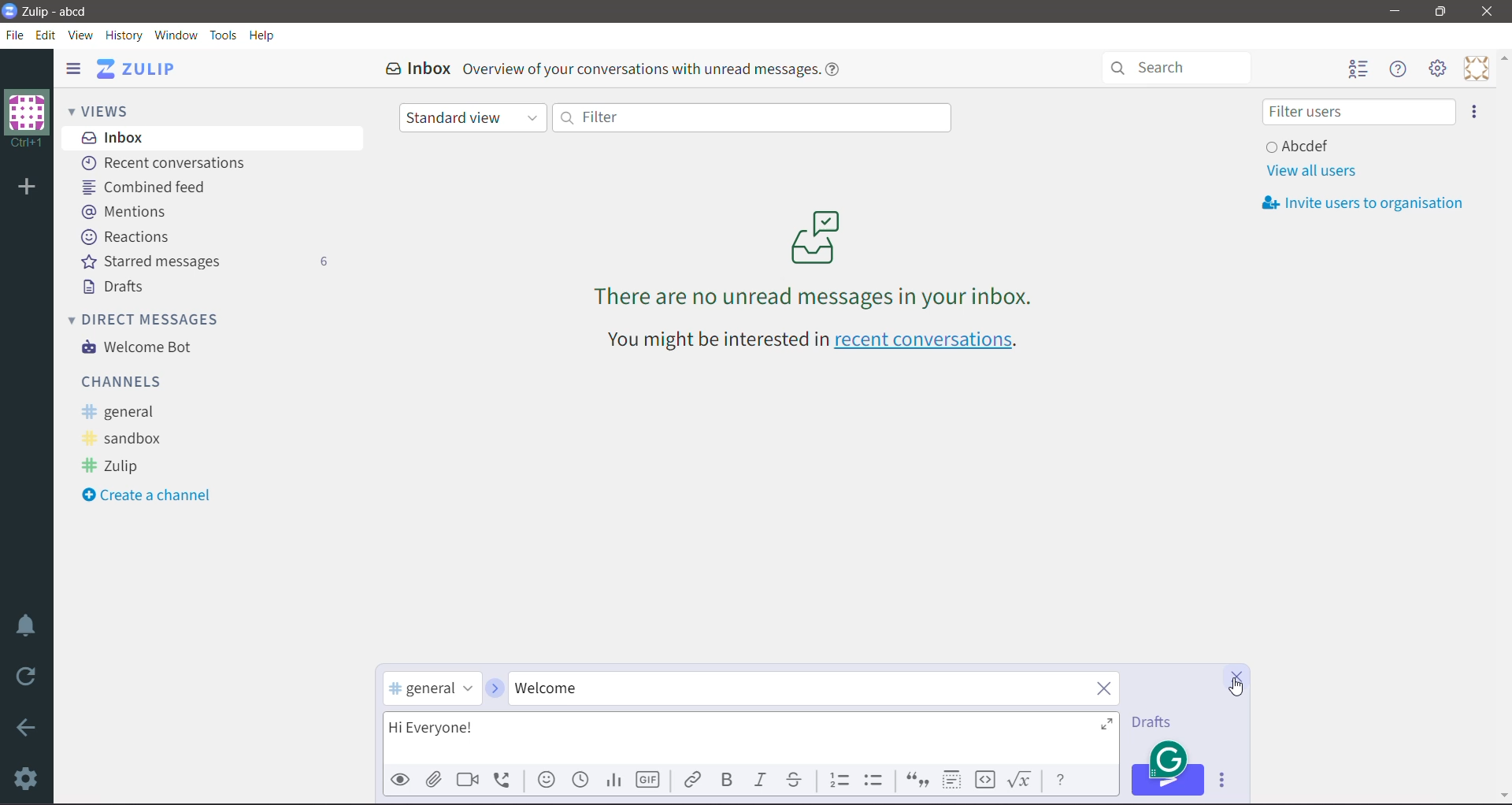 The image size is (1512, 805). I want to click on Close, so click(1489, 12).